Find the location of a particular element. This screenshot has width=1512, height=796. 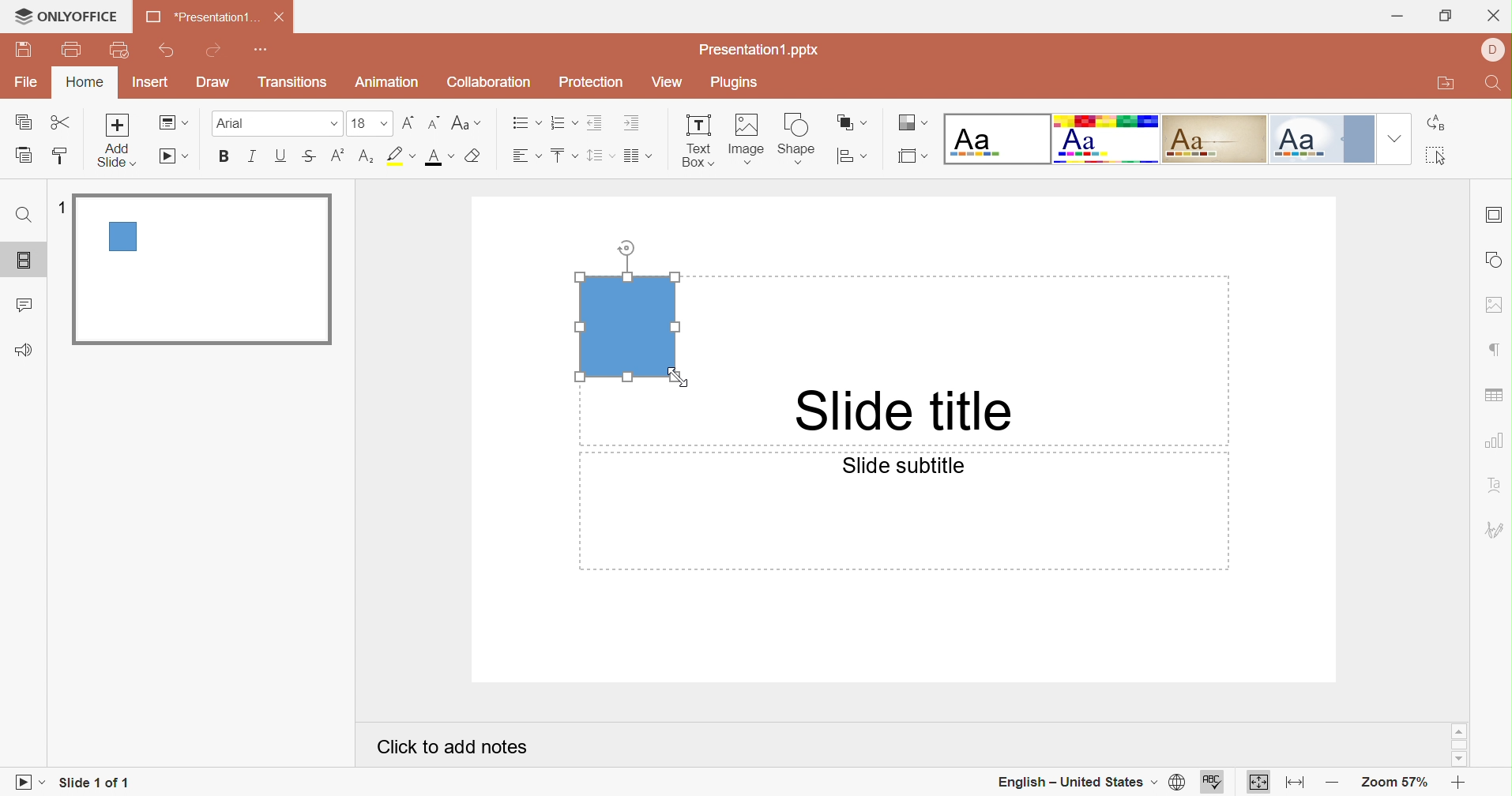

Change color theme is located at coordinates (910, 123).